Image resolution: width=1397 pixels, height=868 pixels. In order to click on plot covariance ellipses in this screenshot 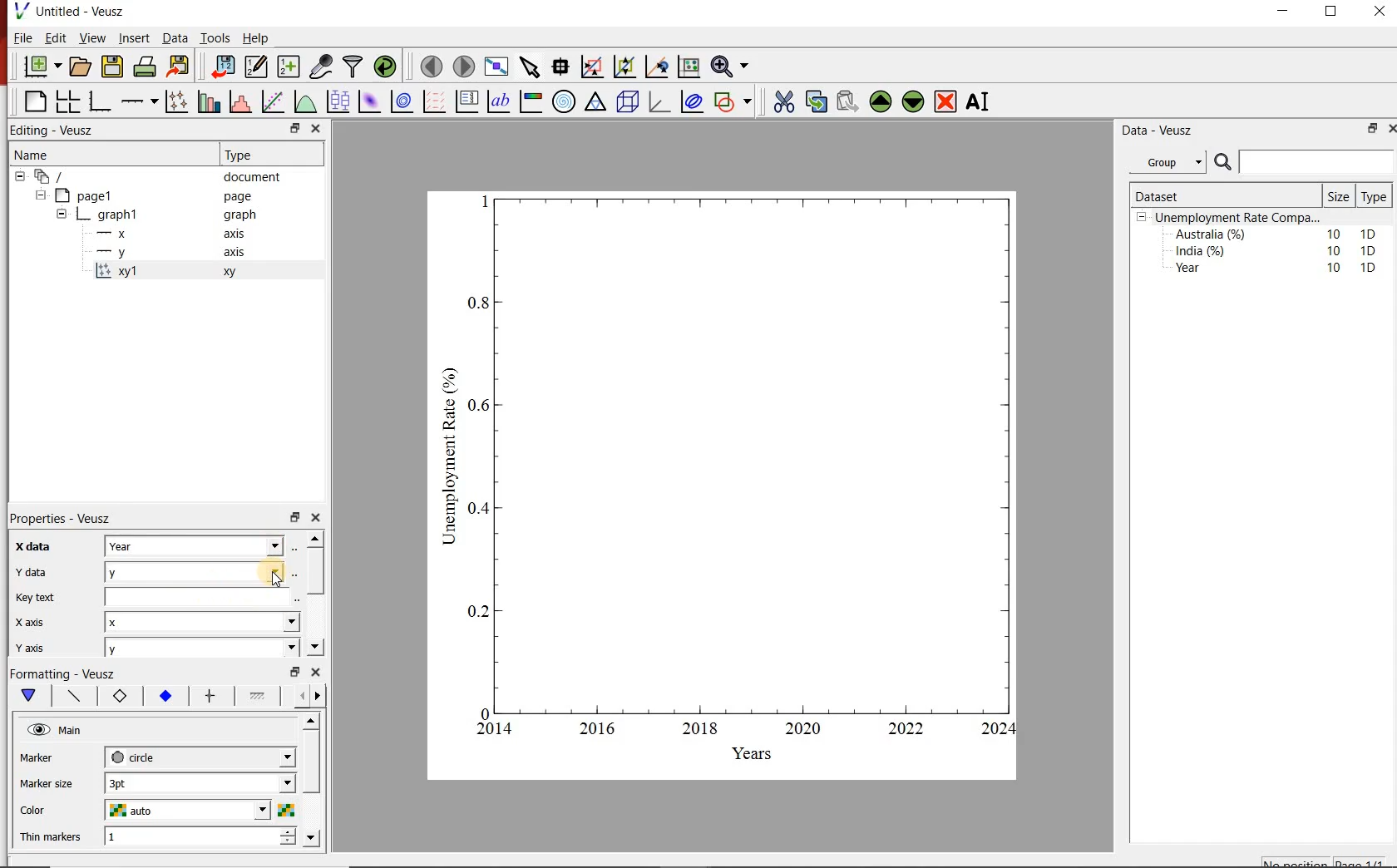, I will do `click(693, 101)`.